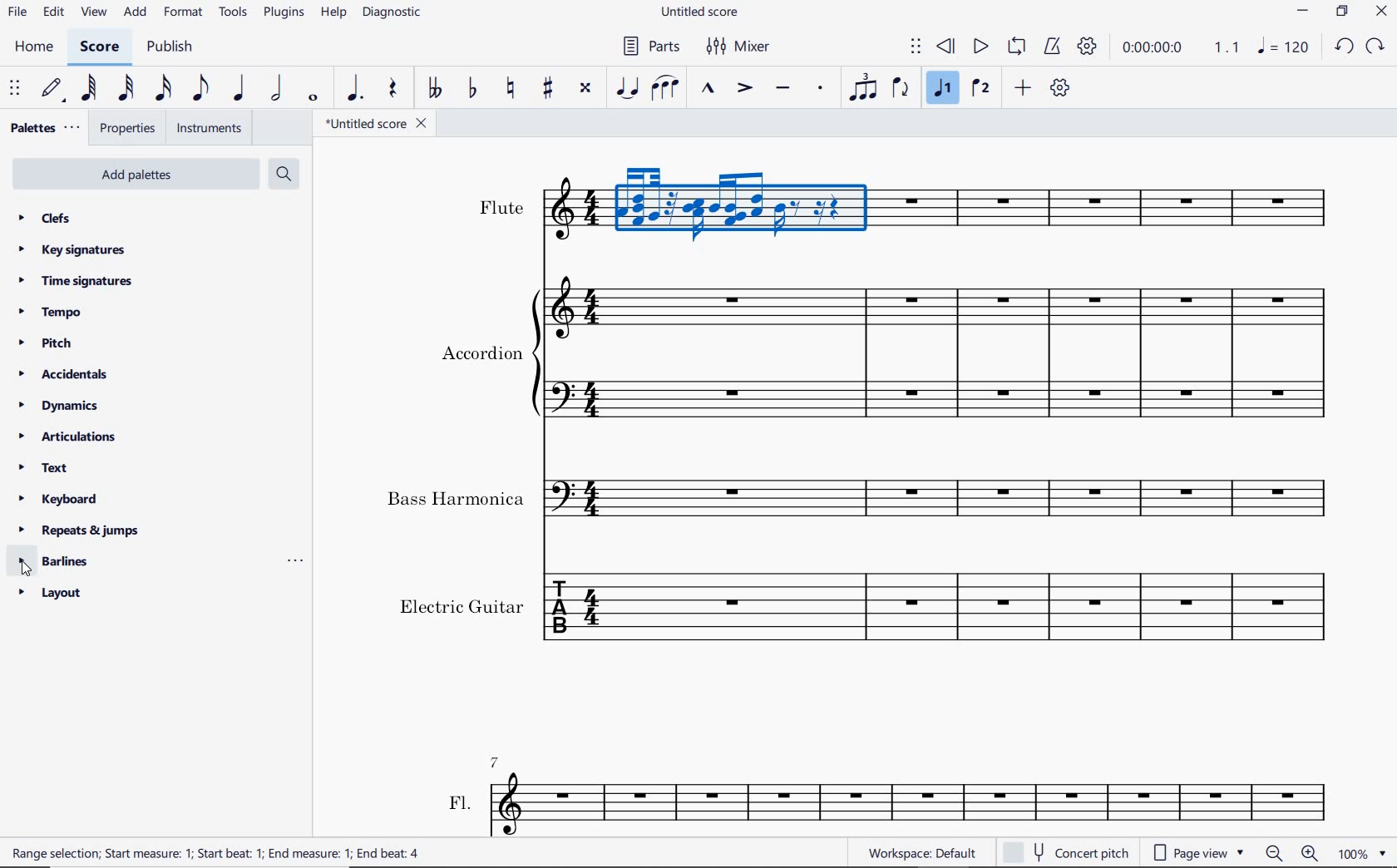  I want to click on voice 1, so click(944, 91).